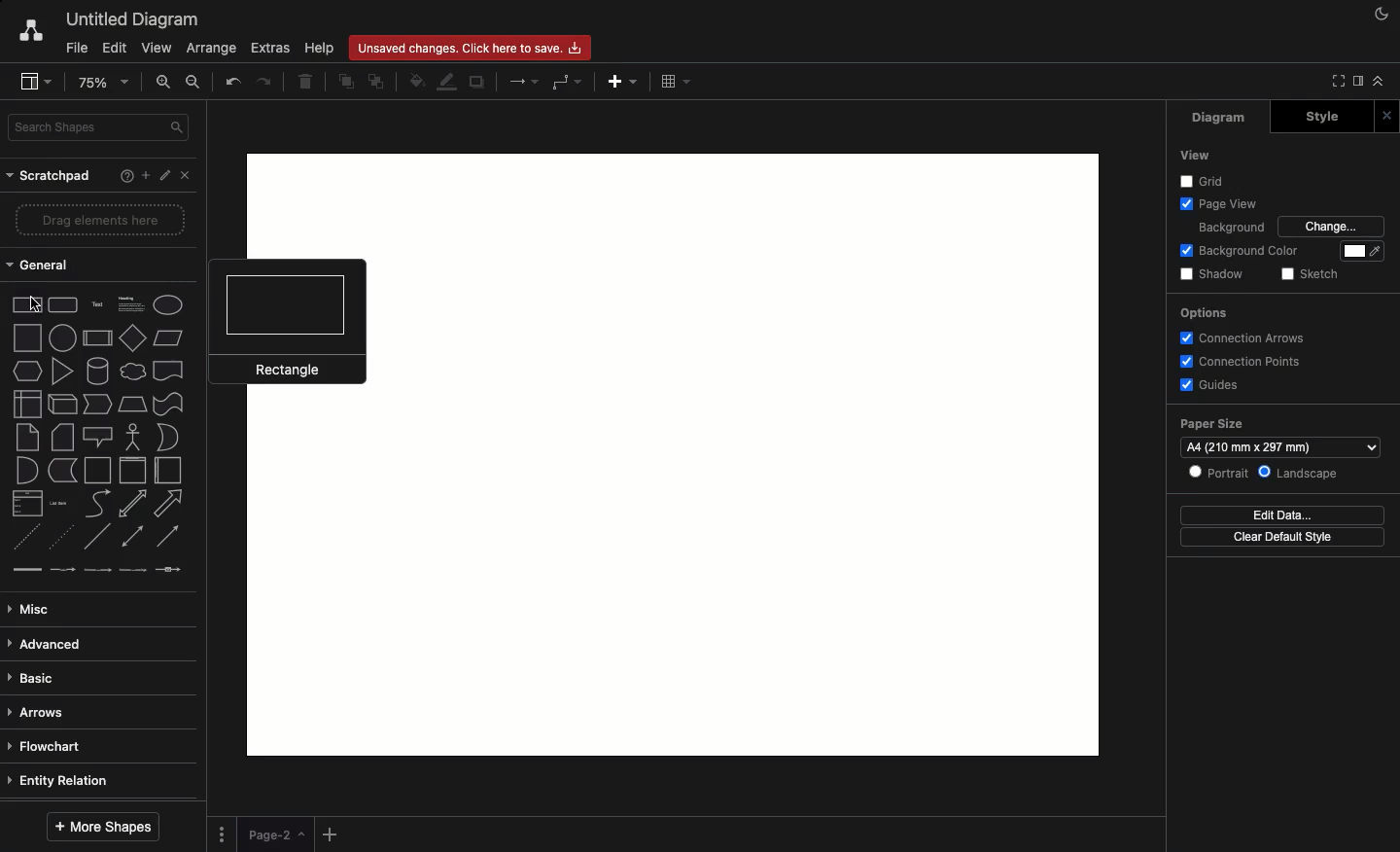  I want to click on Zoom, so click(102, 83).